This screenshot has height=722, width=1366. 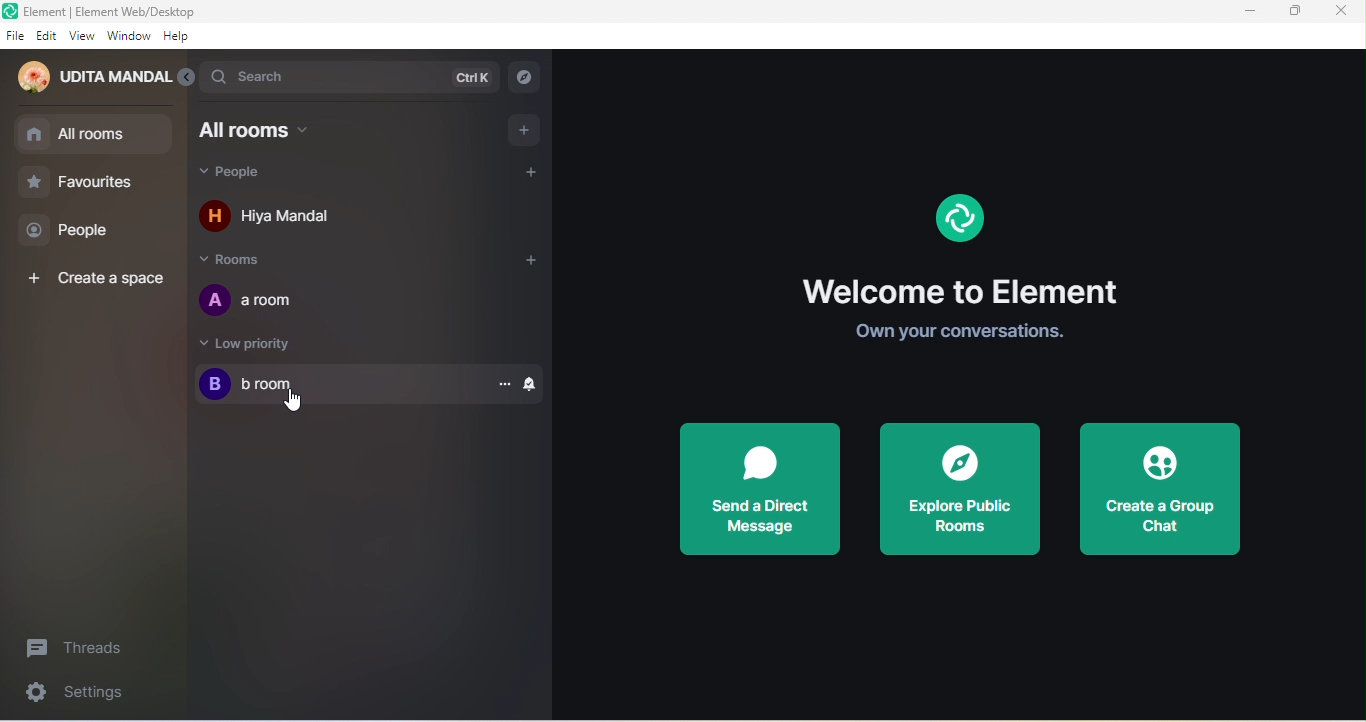 I want to click on close, so click(x=1345, y=13).